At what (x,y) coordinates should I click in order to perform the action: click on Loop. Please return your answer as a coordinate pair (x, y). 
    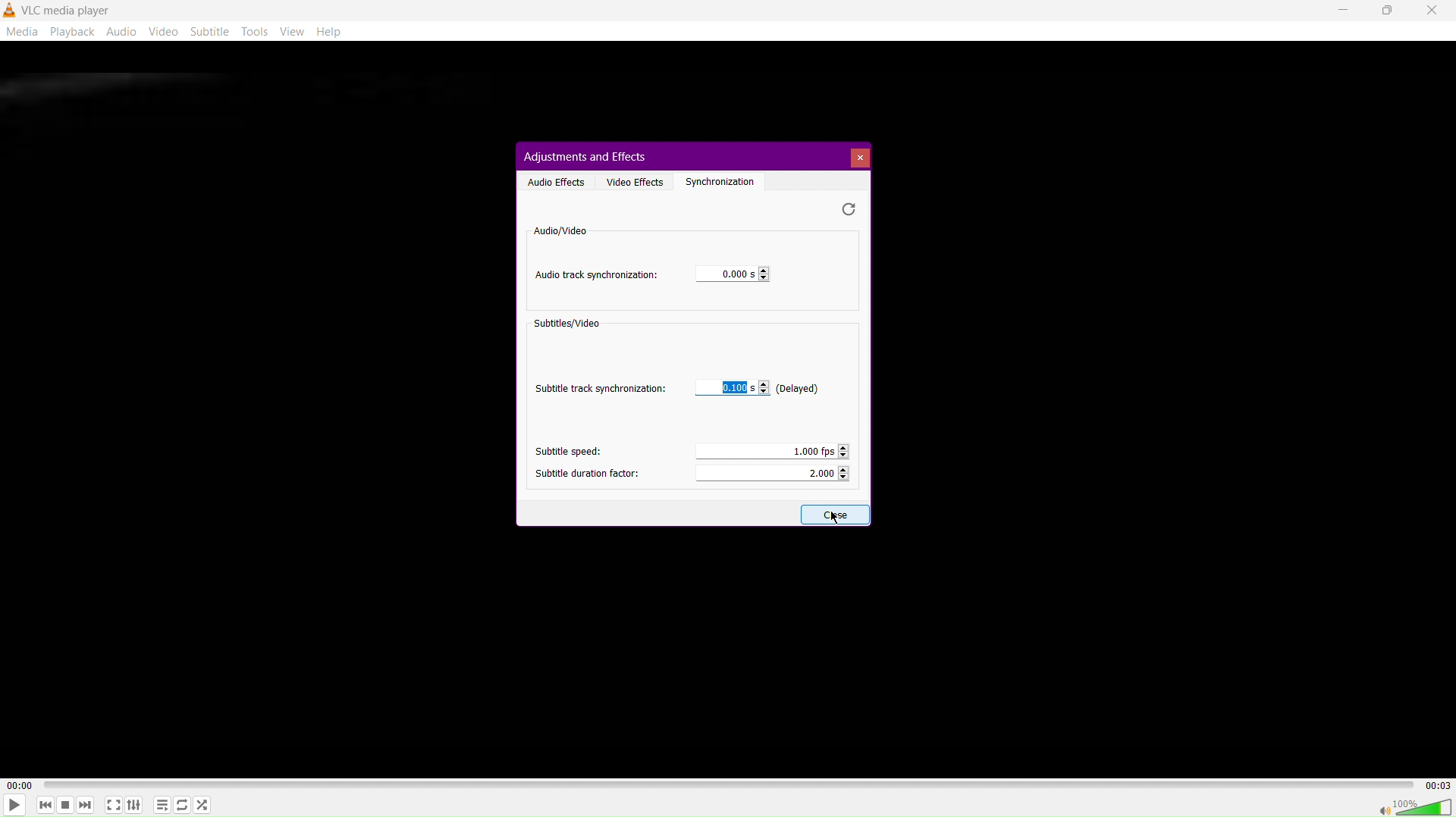
    Looking at the image, I should click on (184, 804).